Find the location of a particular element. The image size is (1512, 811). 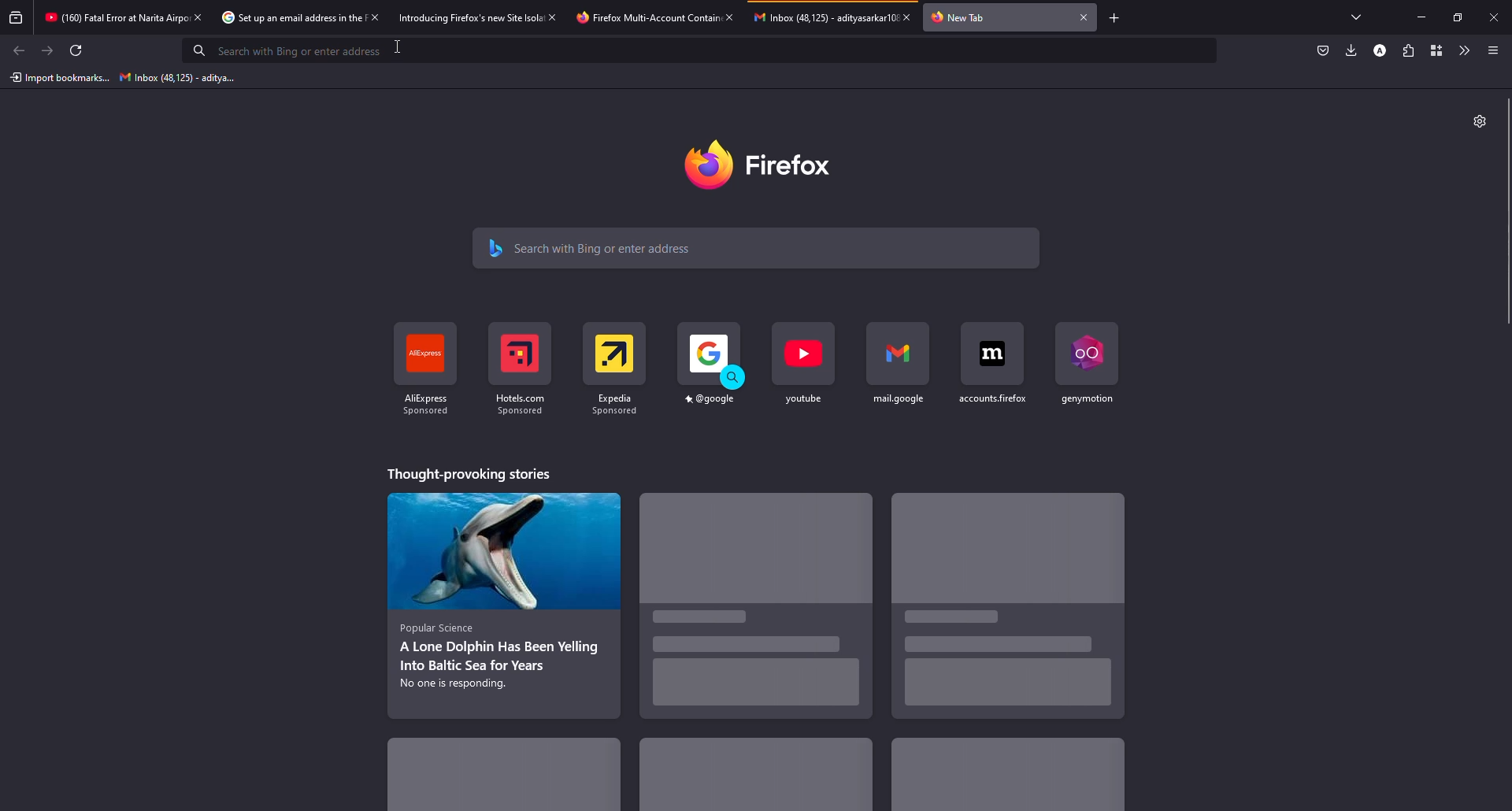

back is located at coordinates (20, 51).